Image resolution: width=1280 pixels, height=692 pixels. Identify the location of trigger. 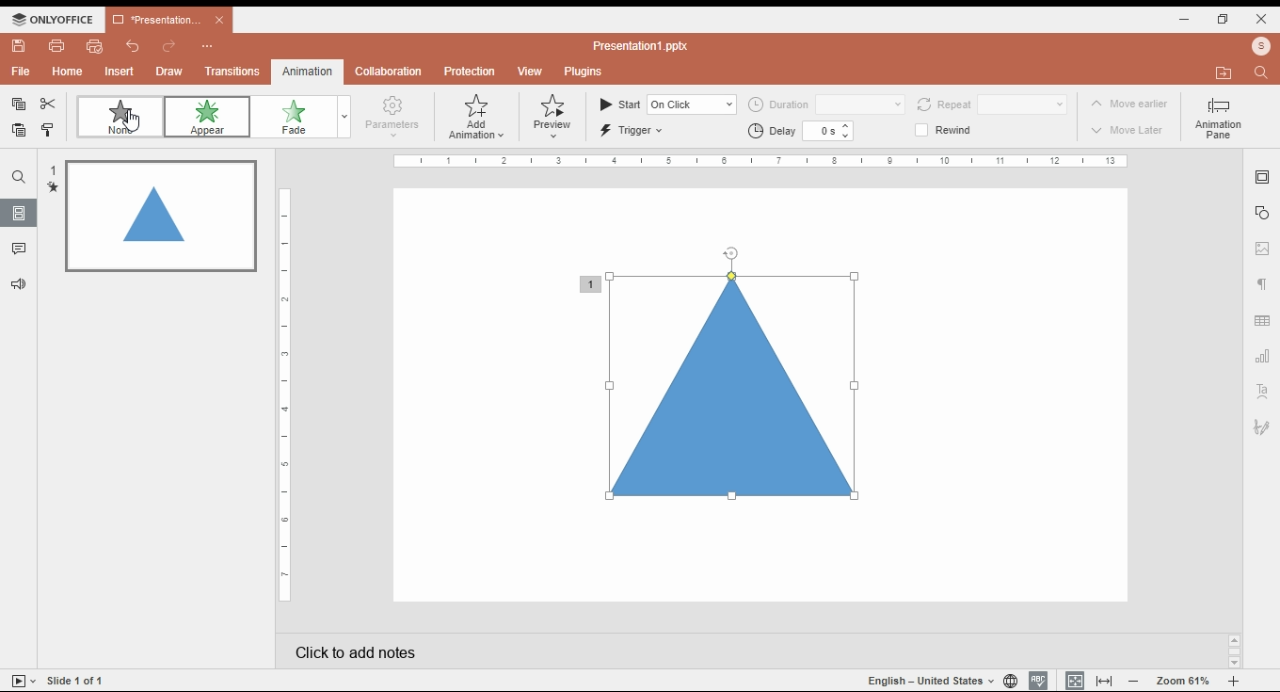
(634, 131).